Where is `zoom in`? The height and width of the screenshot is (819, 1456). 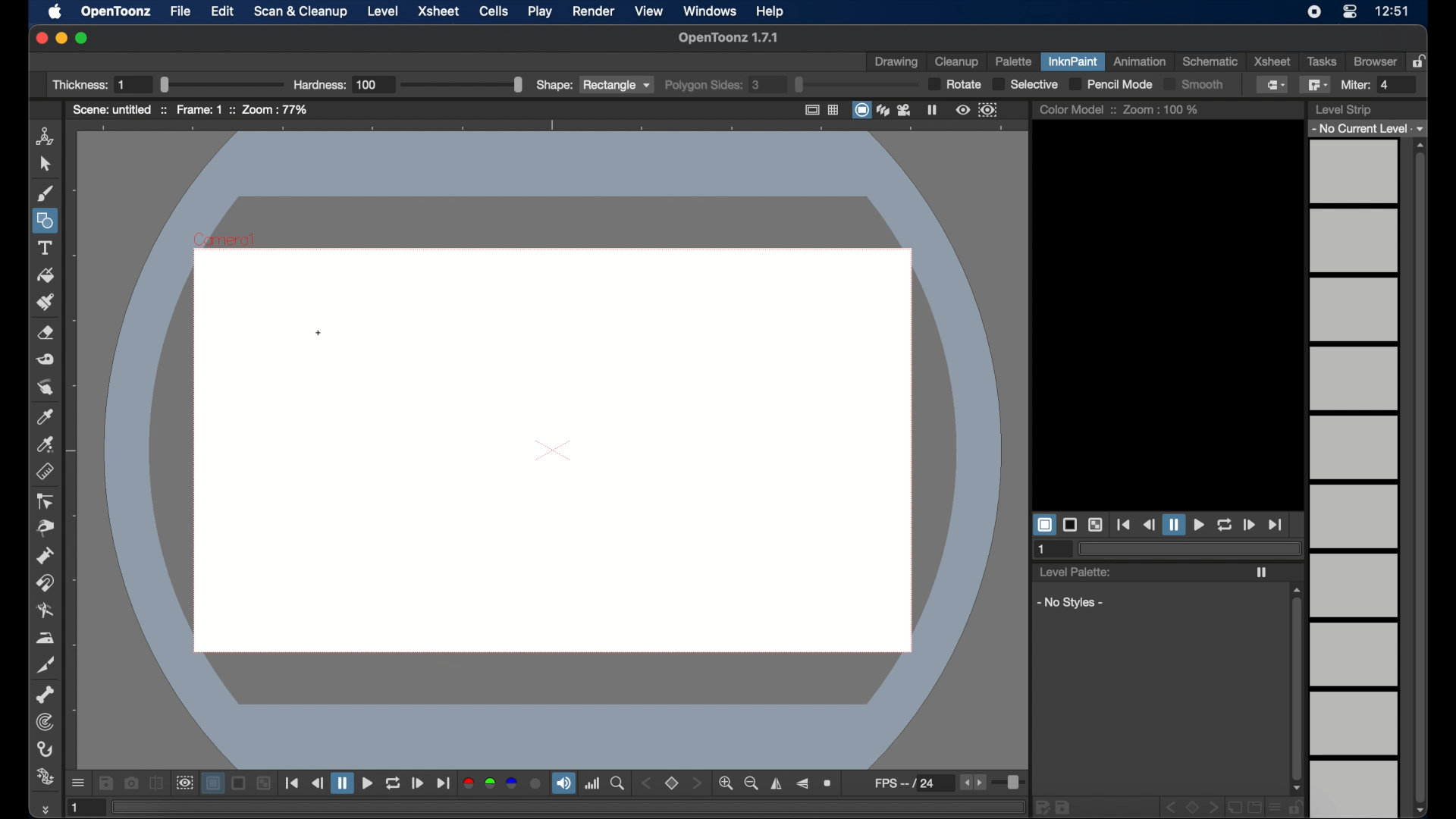
zoom in is located at coordinates (725, 783).